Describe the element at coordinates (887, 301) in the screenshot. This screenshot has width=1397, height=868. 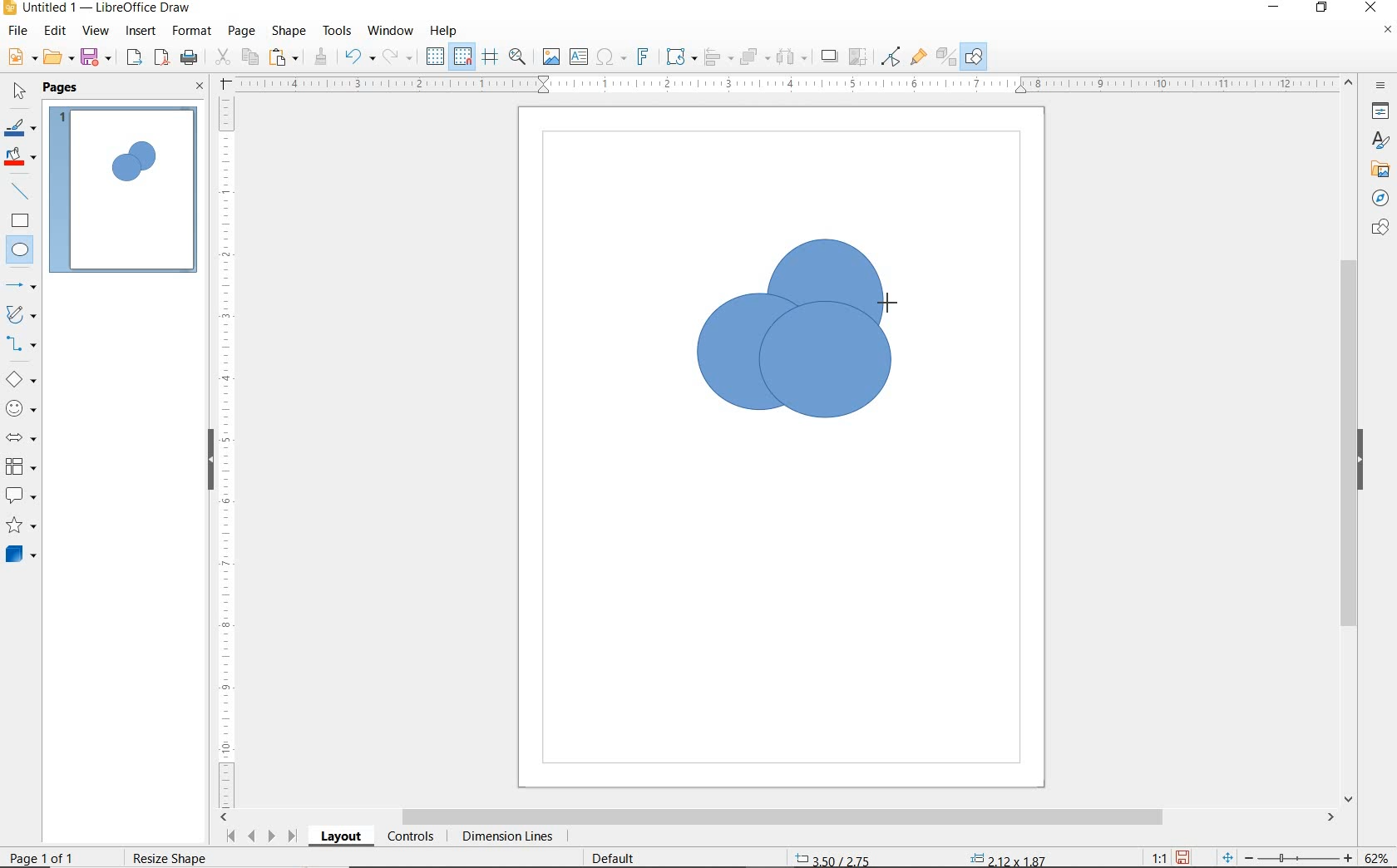
I see `ELLIPSE TOOL` at that location.